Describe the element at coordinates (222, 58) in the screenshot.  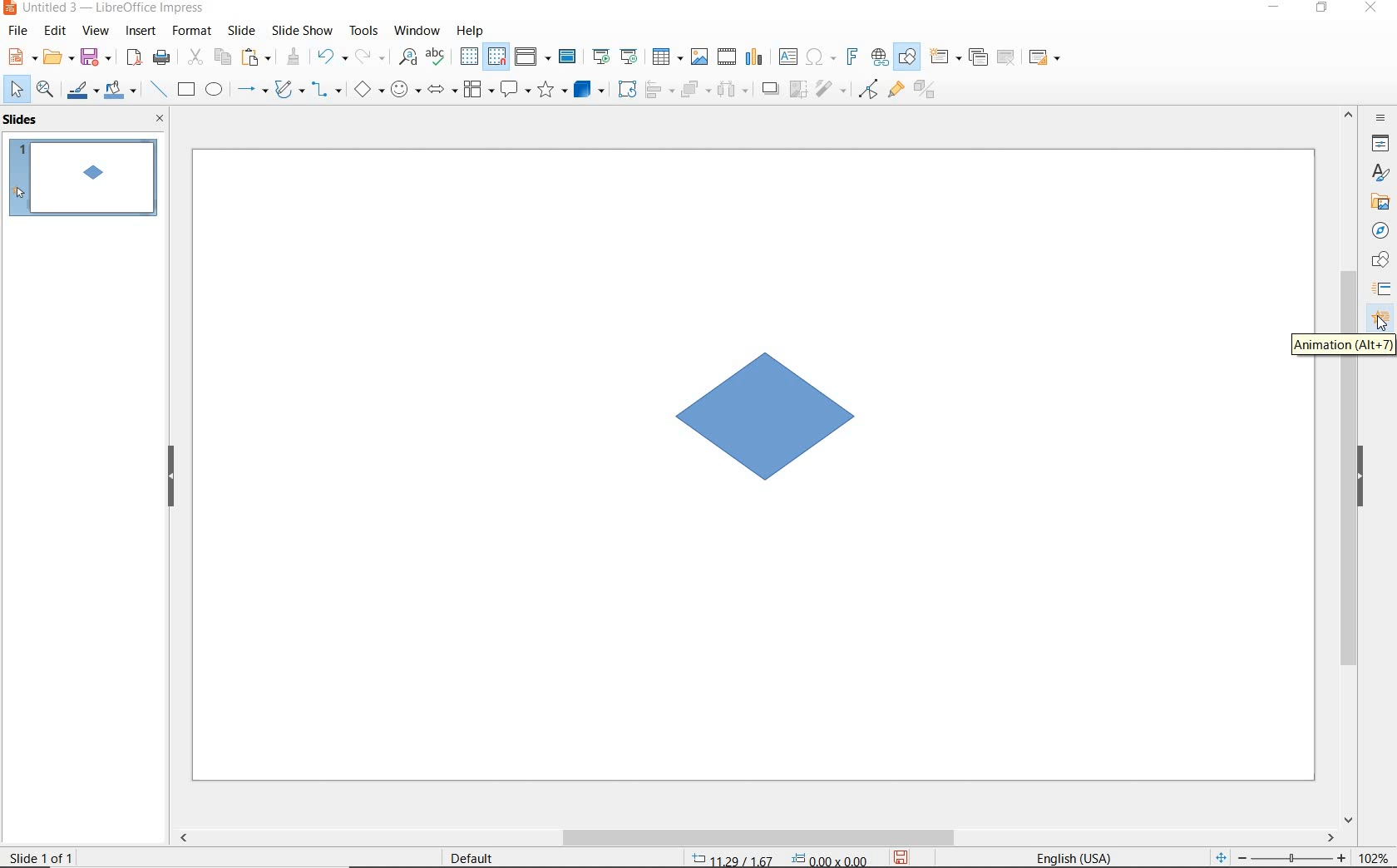
I see `copy` at that location.